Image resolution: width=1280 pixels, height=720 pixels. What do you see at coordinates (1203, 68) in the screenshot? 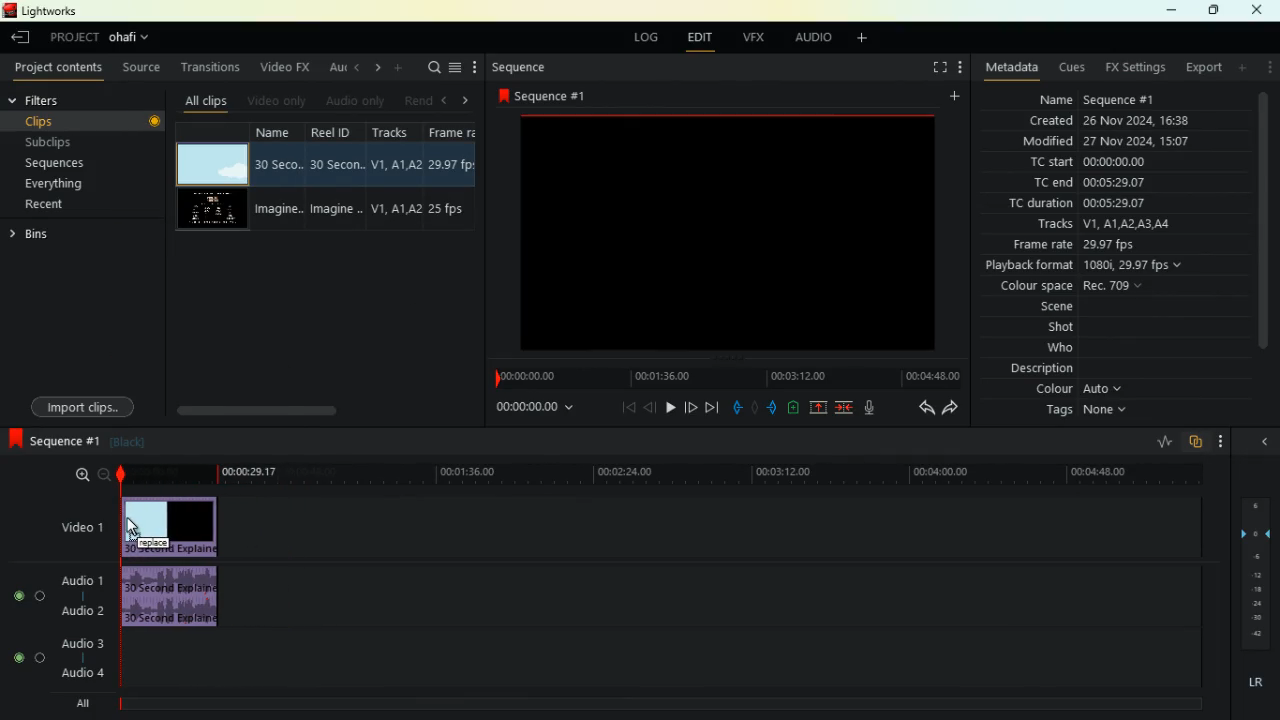
I see `export` at bounding box center [1203, 68].